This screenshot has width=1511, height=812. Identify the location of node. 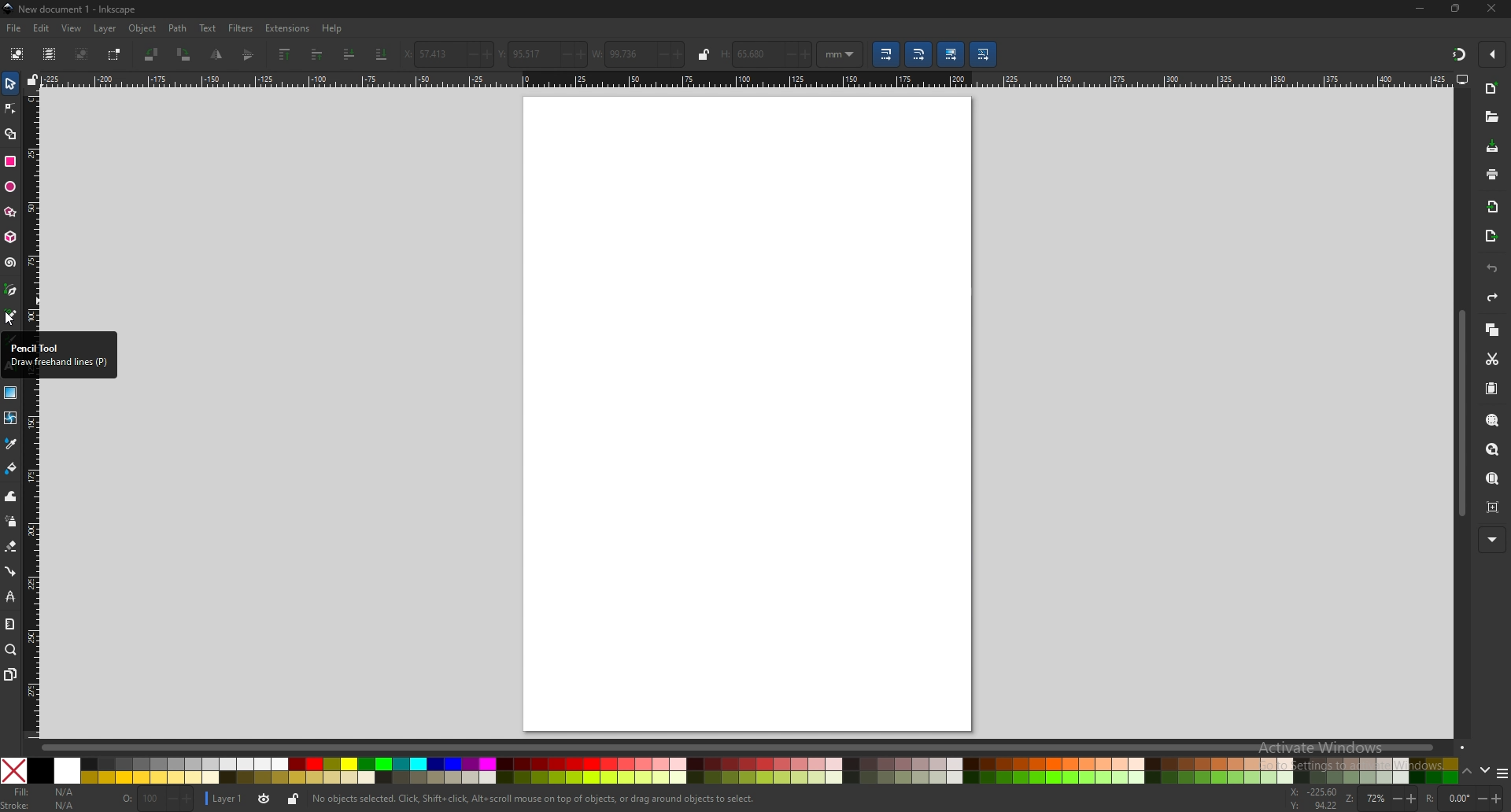
(12, 109).